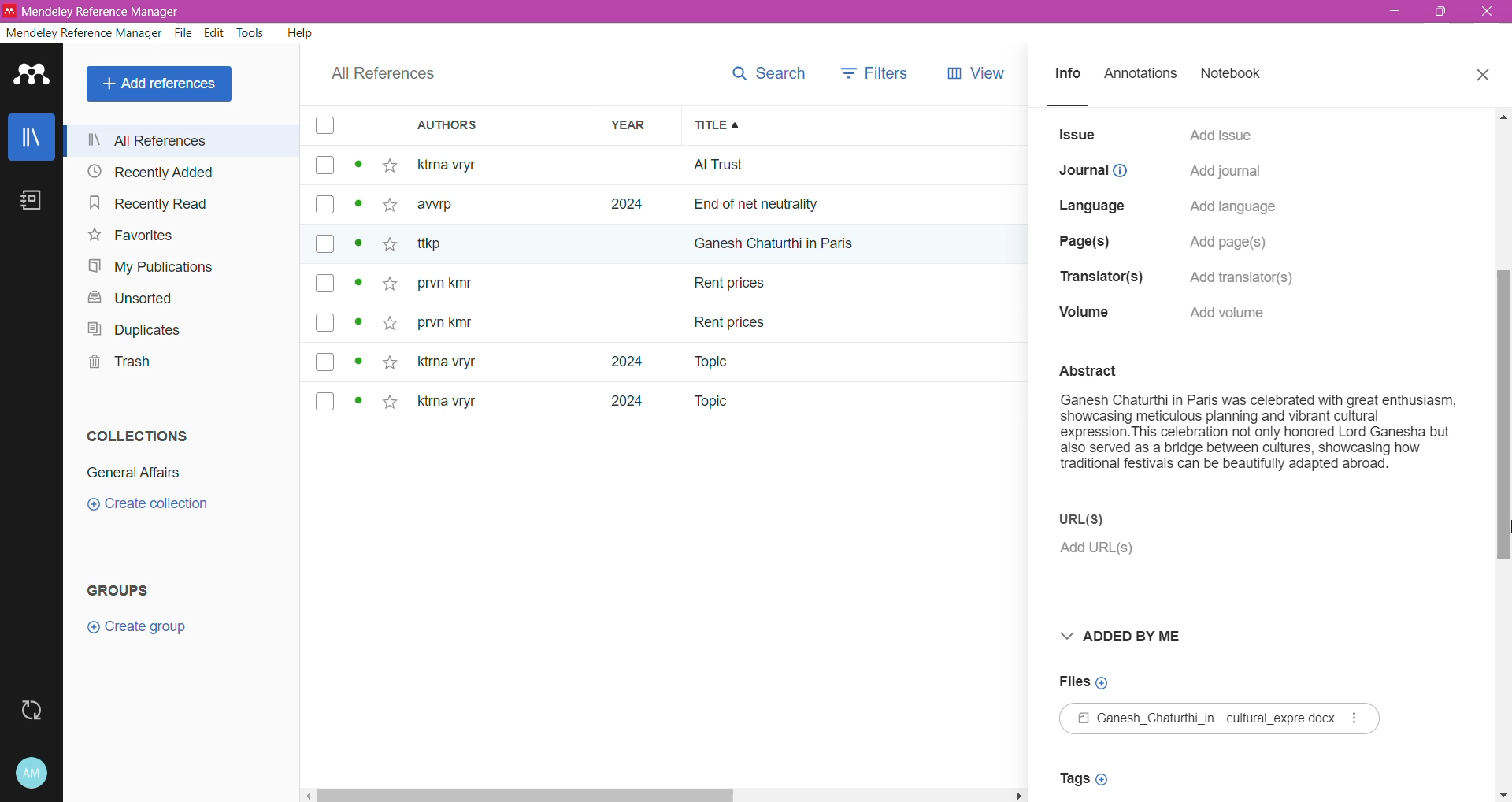 The image size is (1512, 802). I want to click on Drag to Final scroll position, so click(1501, 530).